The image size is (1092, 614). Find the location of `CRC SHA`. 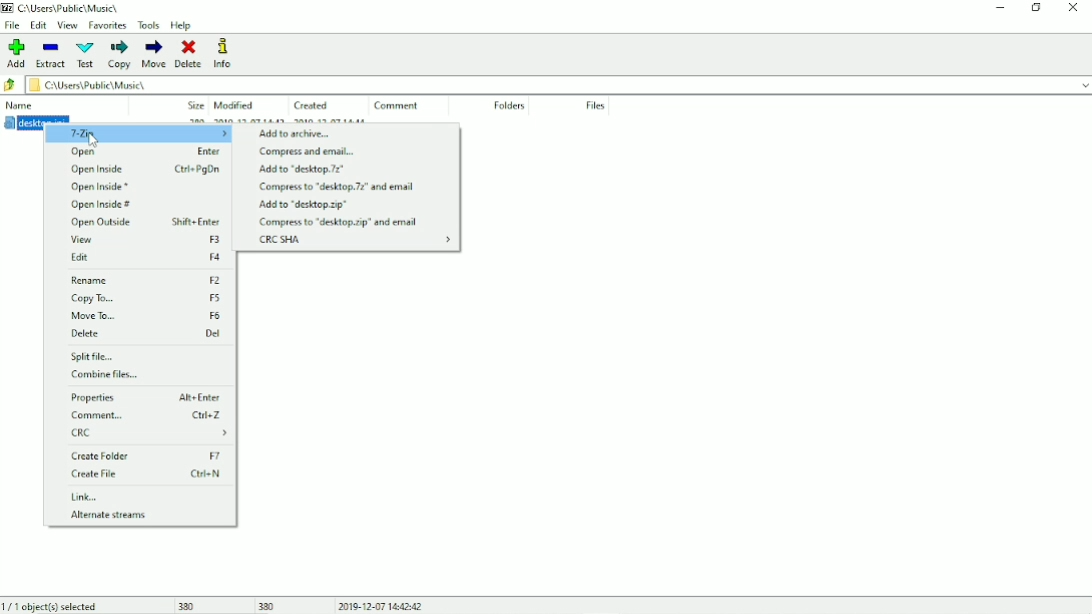

CRC SHA is located at coordinates (284, 240).